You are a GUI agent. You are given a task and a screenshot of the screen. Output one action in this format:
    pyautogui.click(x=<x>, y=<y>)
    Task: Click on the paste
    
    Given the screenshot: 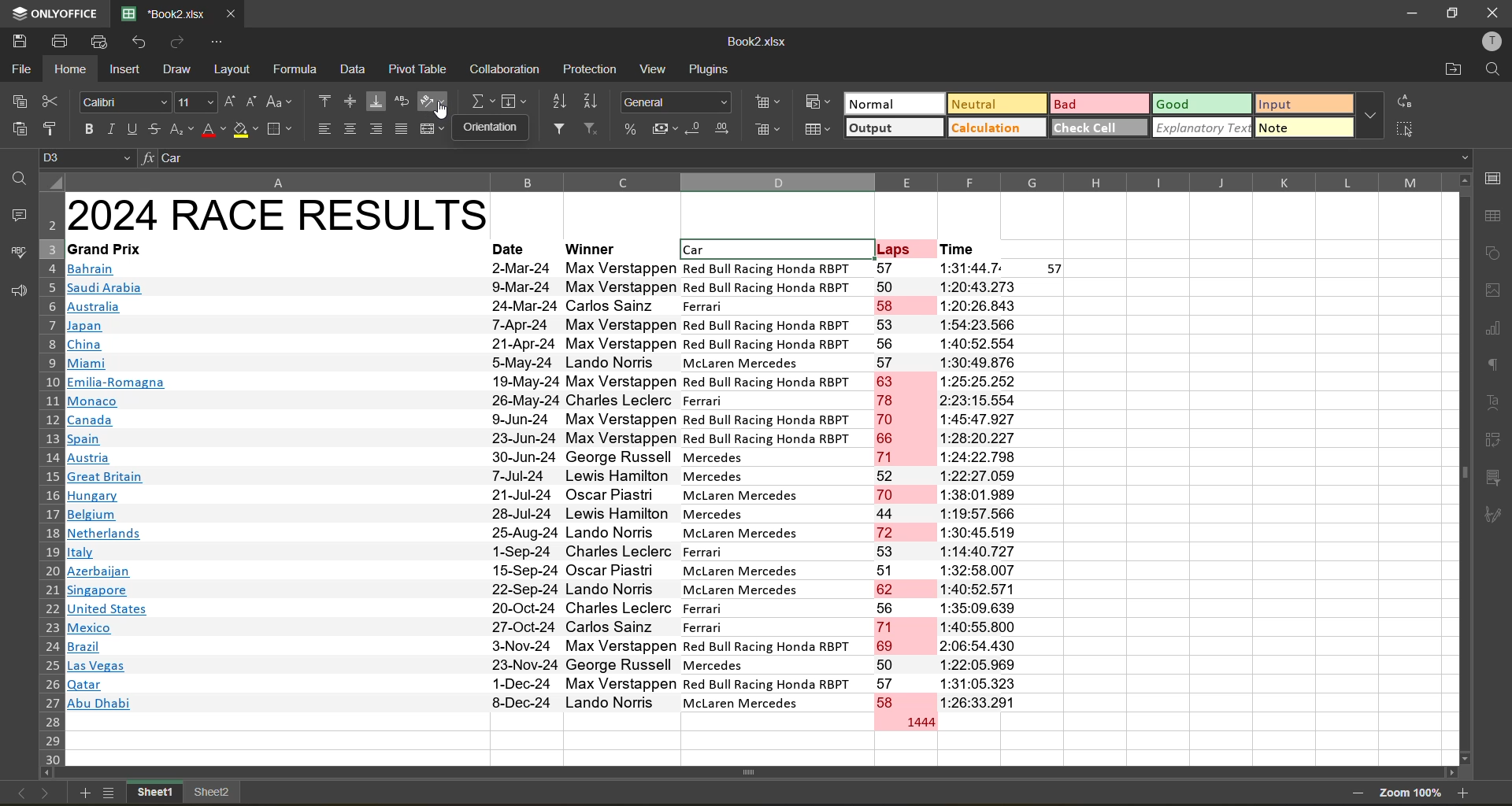 What is the action you would take?
    pyautogui.click(x=19, y=126)
    